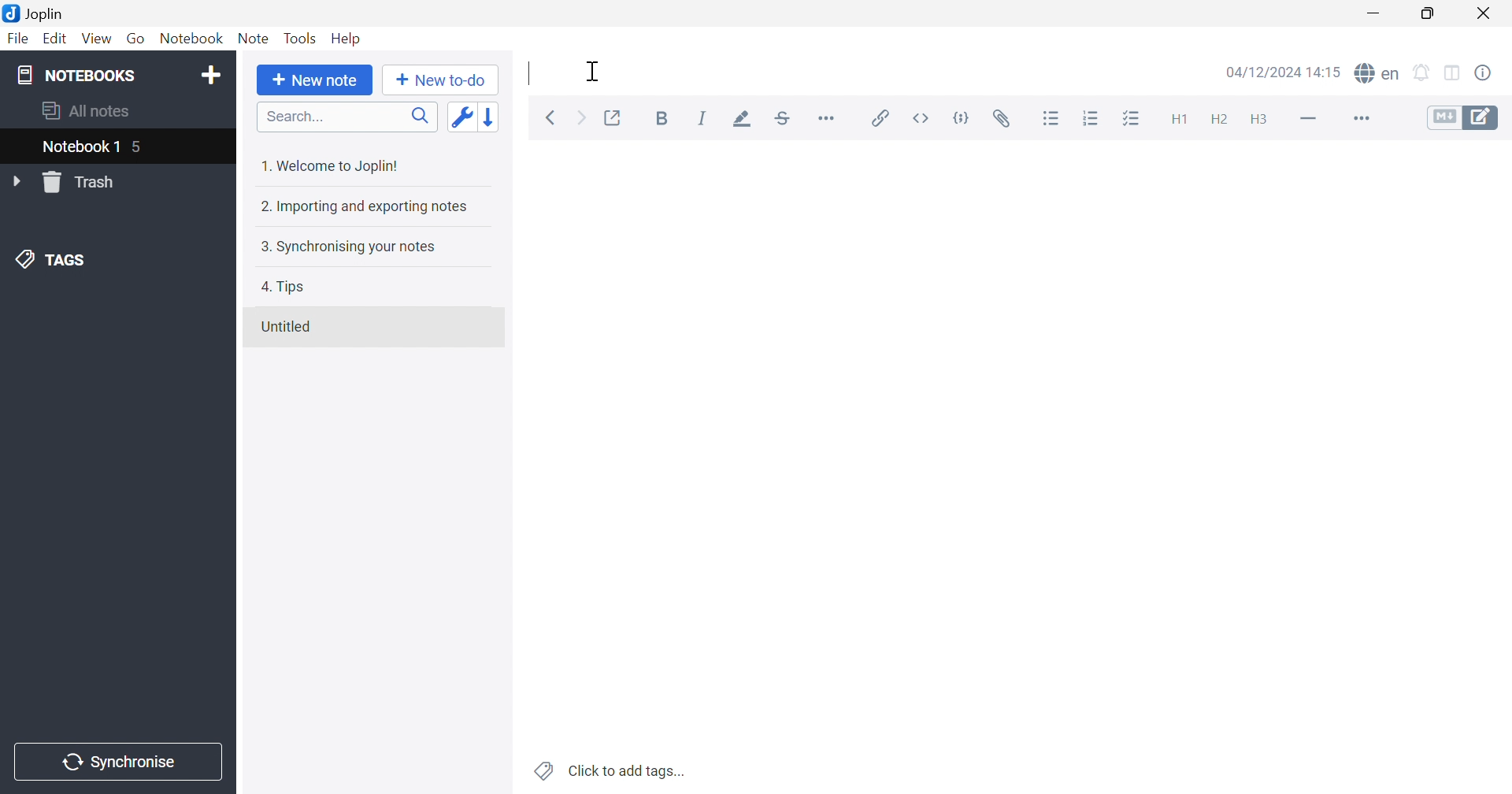 Image resolution: width=1512 pixels, height=794 pixels. Describe the element at coordinates (347, 117) in the screenshot. I see `Search...` at that location.